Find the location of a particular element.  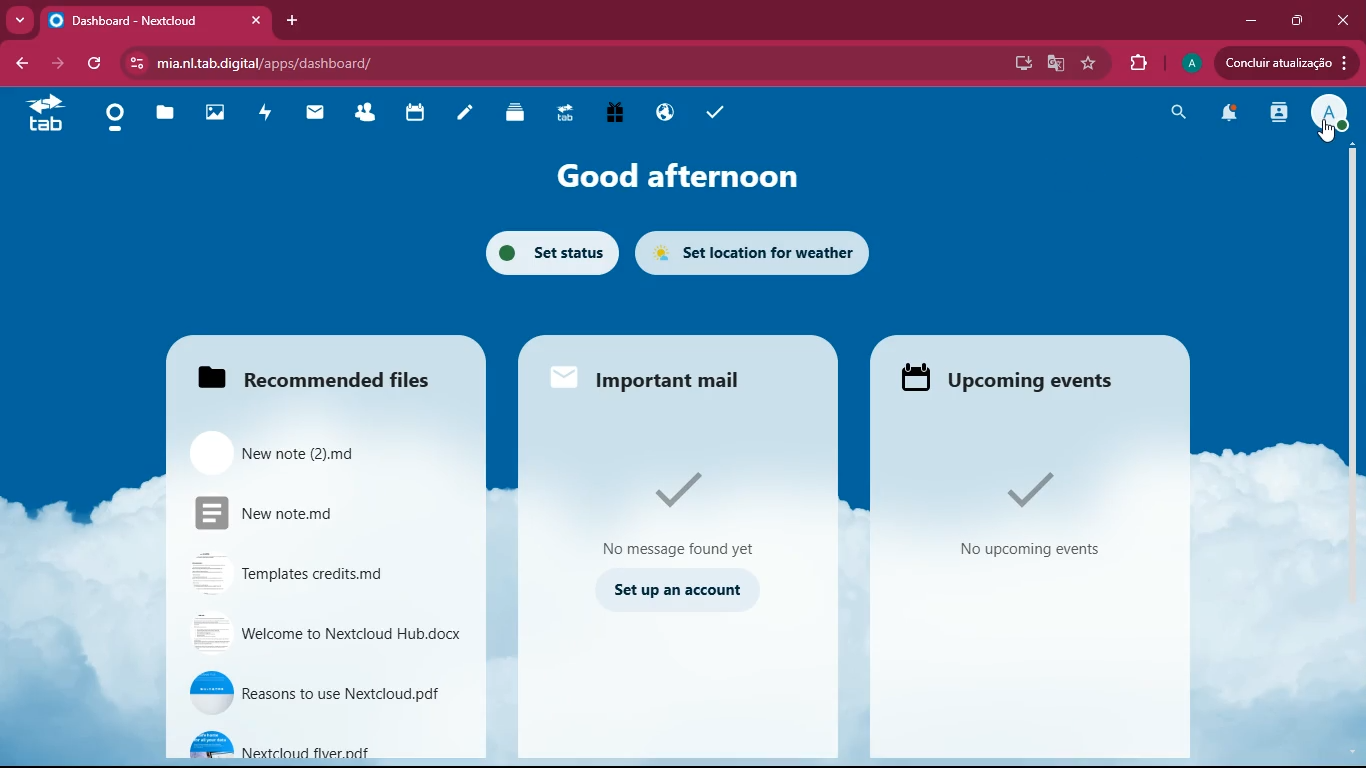

forward is located at coordinates (61, 65).